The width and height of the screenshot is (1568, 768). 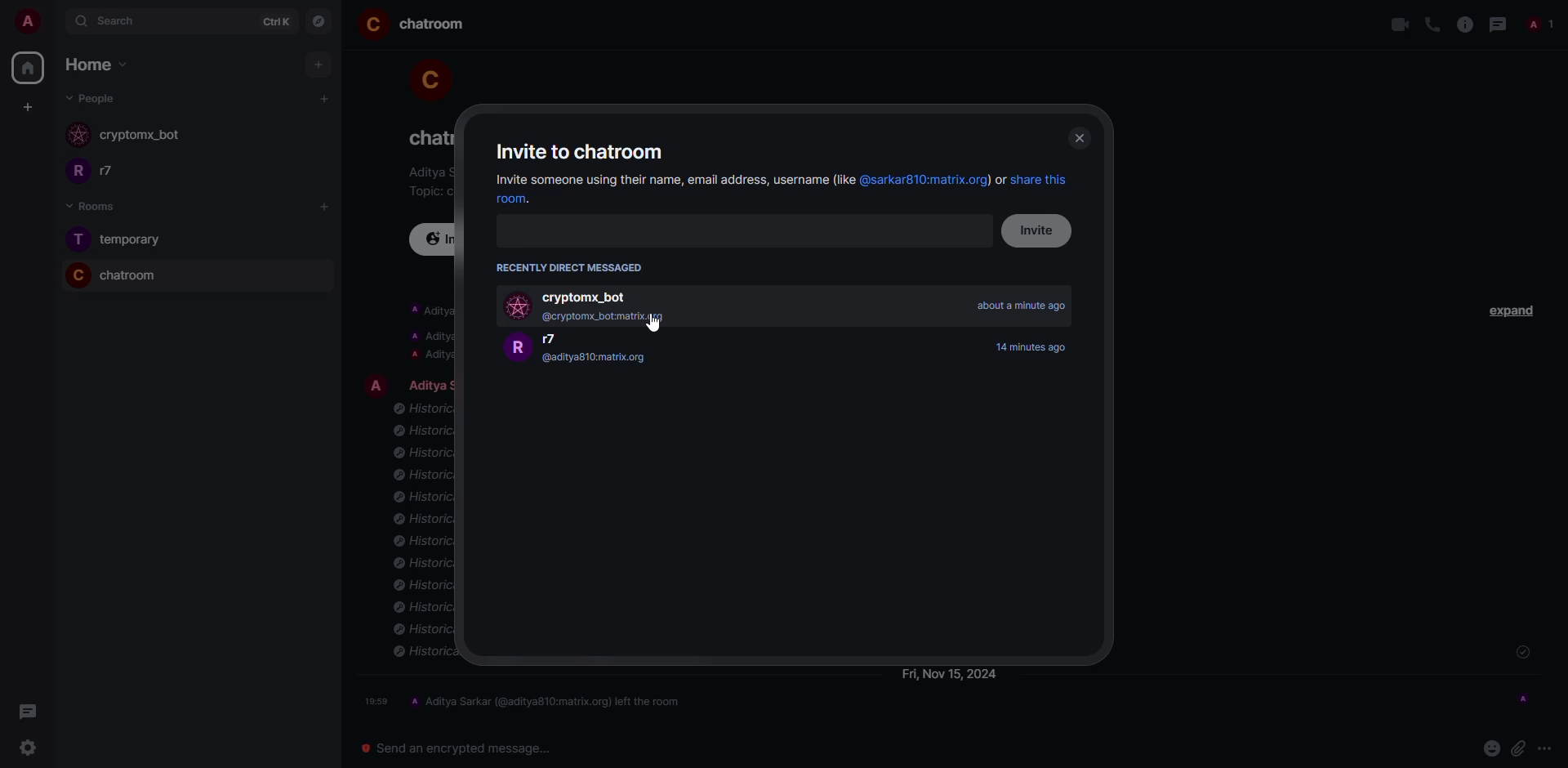 What do you see at coordinates (549, 700) in the screenshot?
I see `left the room` at bounding box center [549, 700].